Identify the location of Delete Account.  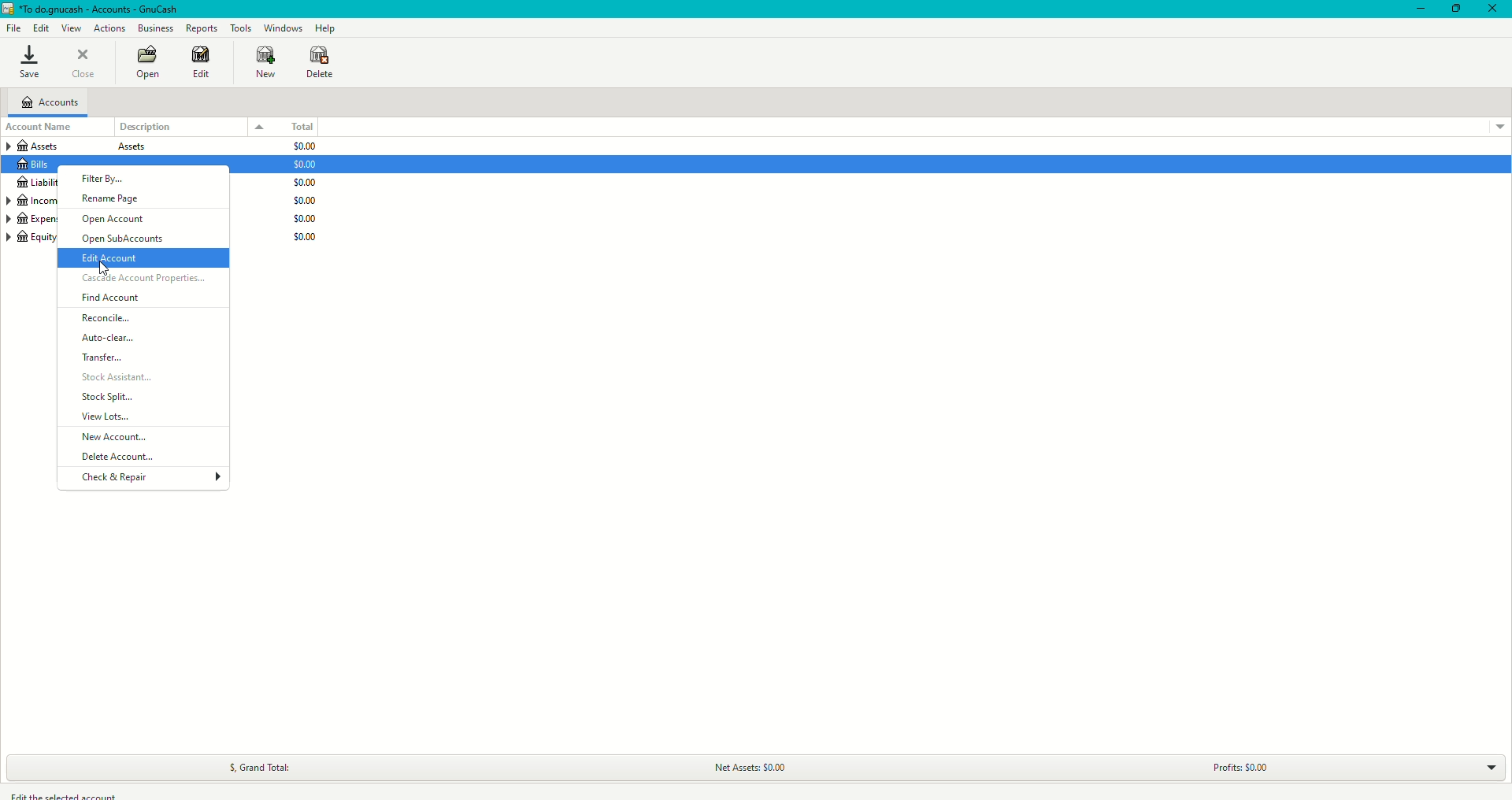
(117, 457).